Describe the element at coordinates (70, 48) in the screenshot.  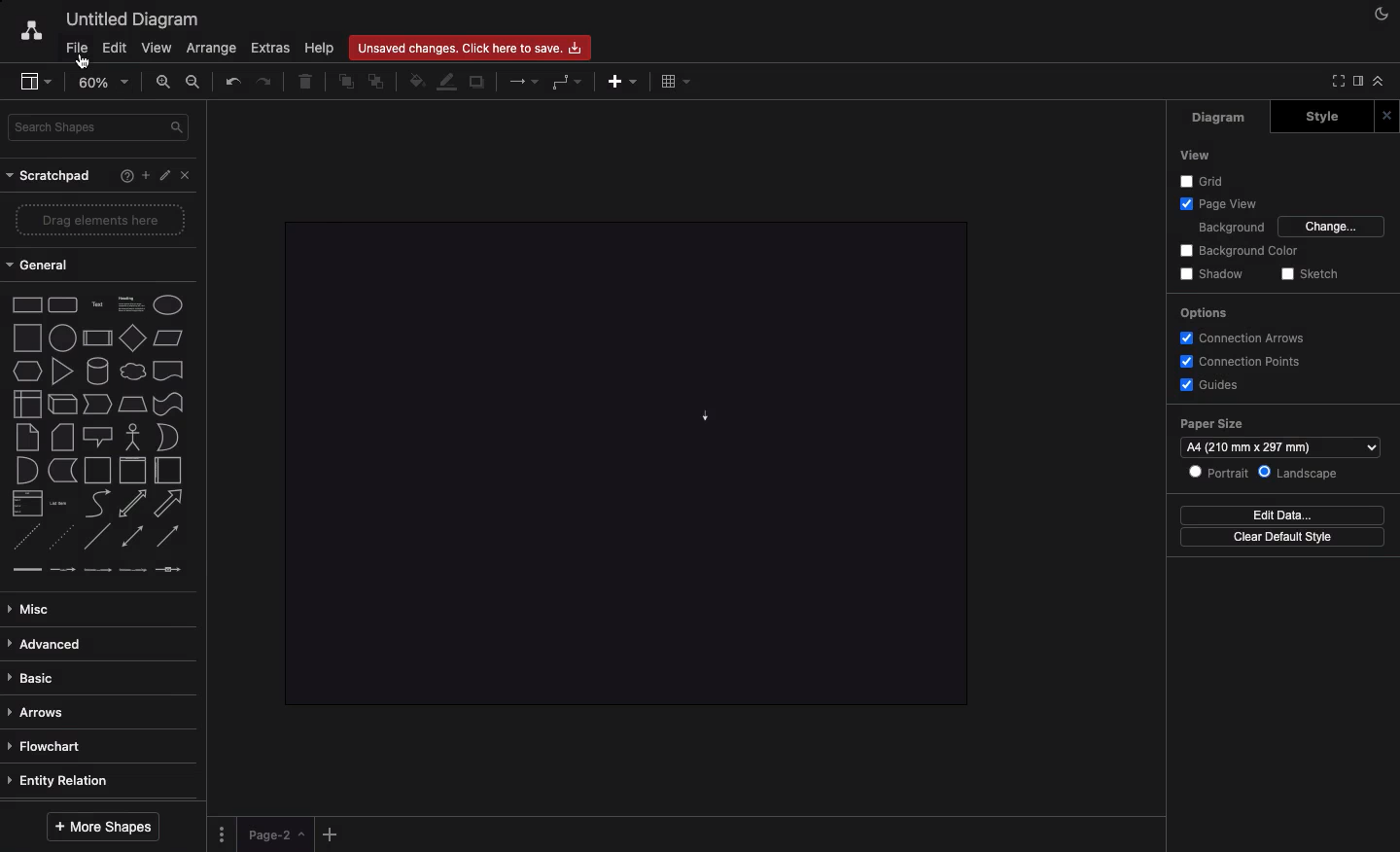
I see `File` at that location.